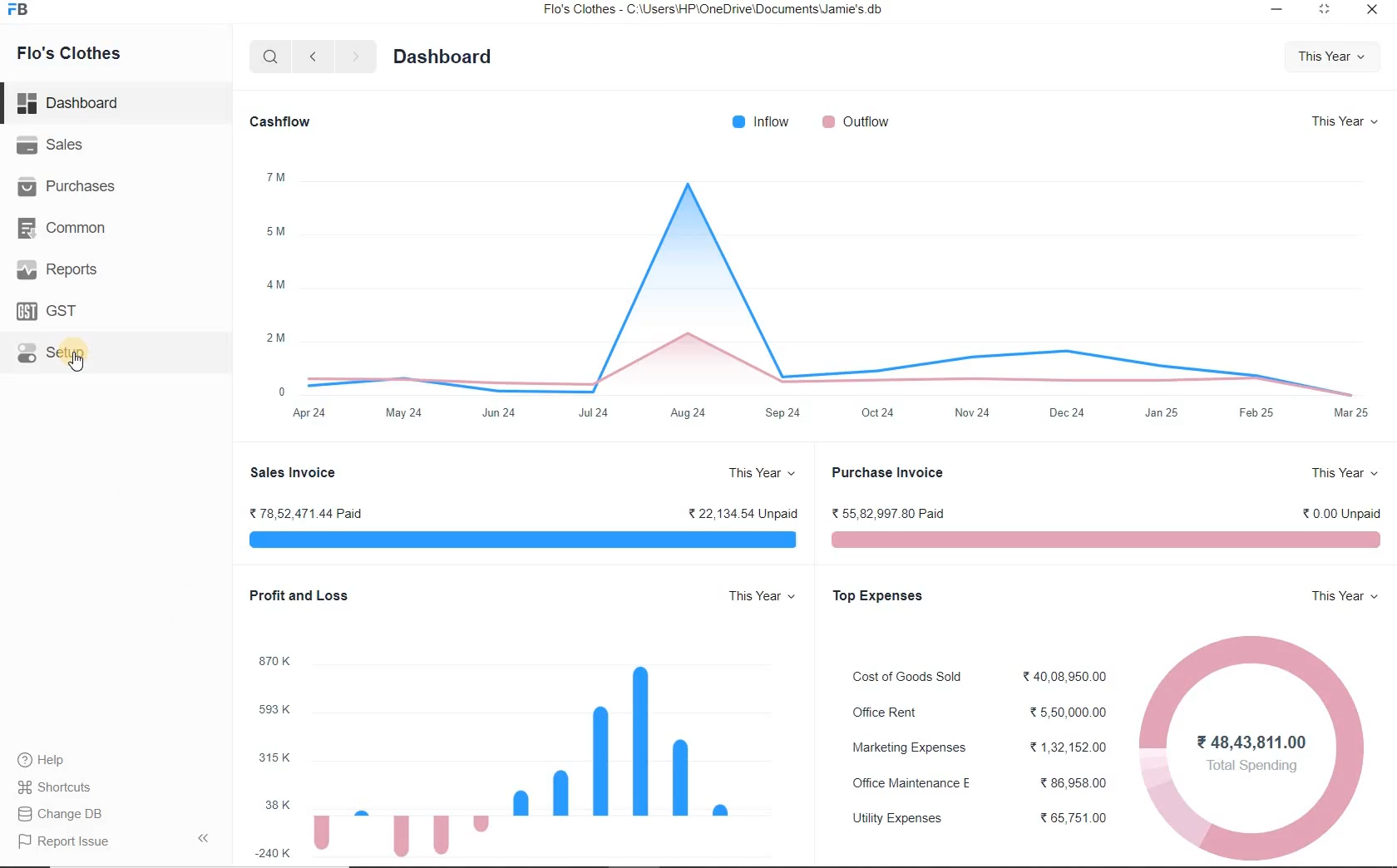 The height and width of the screenshot is (868, 1397). Describe the element at coordinates (273, 660) in the screenshot. I see `870K` at that location.